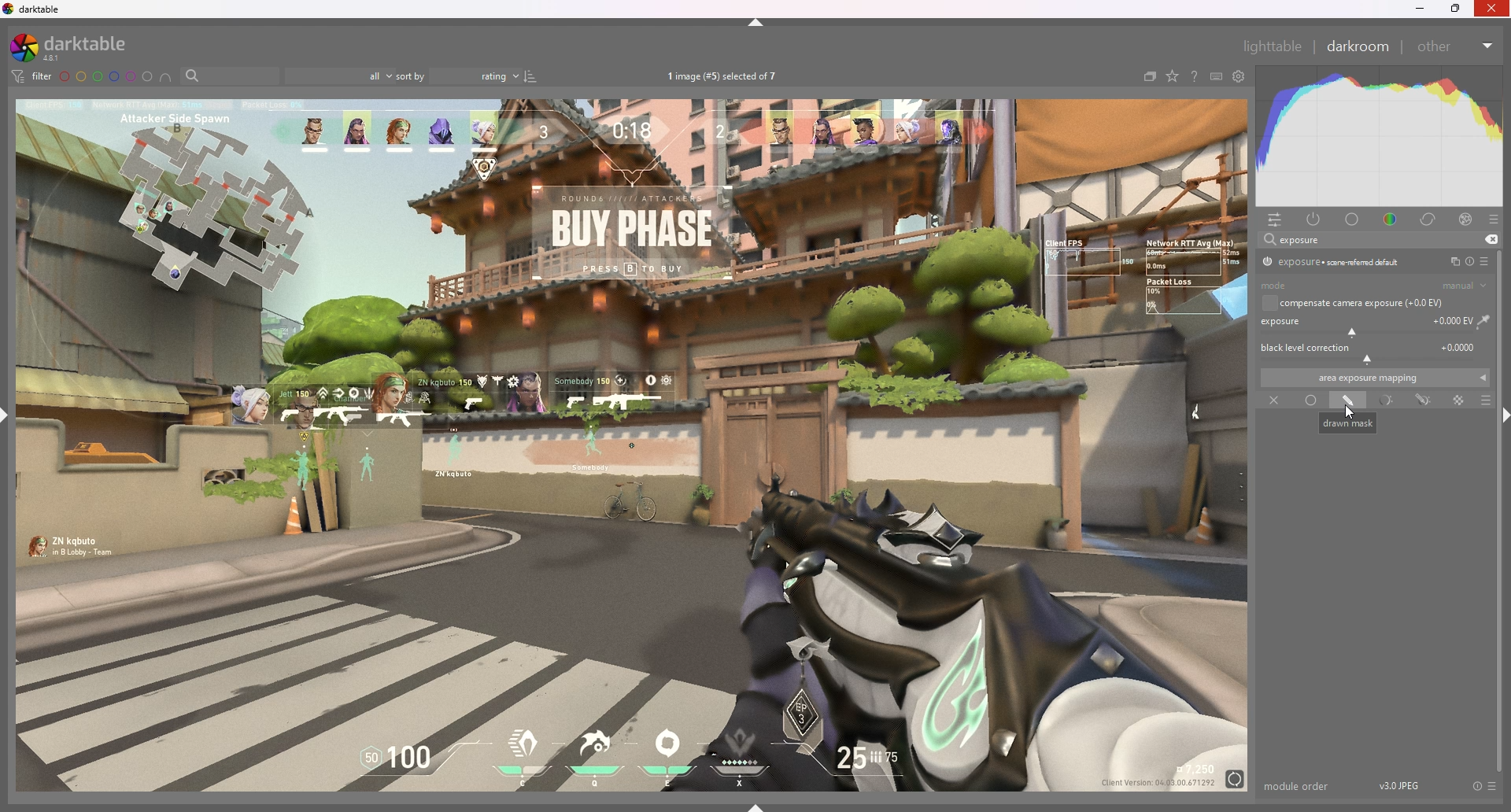  Describe the element at coordinates (1486, 261) in the screenshot. I see `presets` at that location.